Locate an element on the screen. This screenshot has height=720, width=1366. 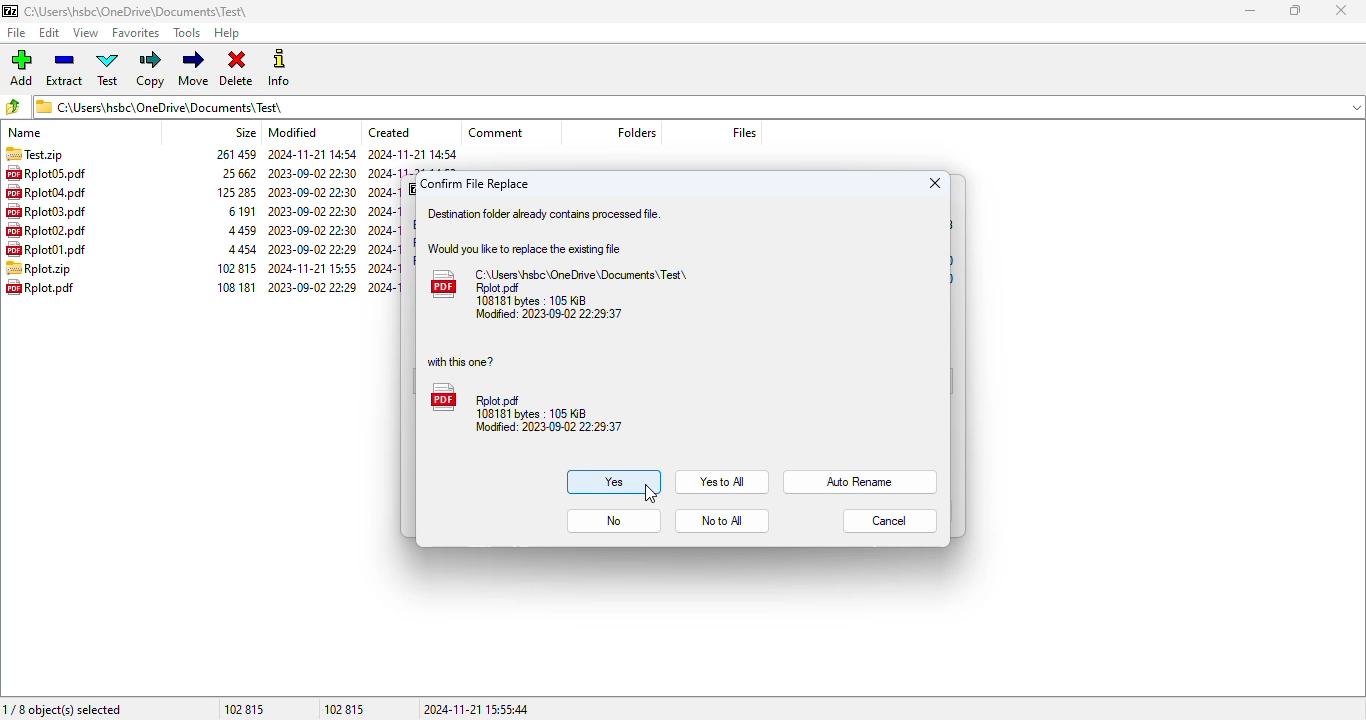
Rplot05.pdf is located at coordinates (56, 173).